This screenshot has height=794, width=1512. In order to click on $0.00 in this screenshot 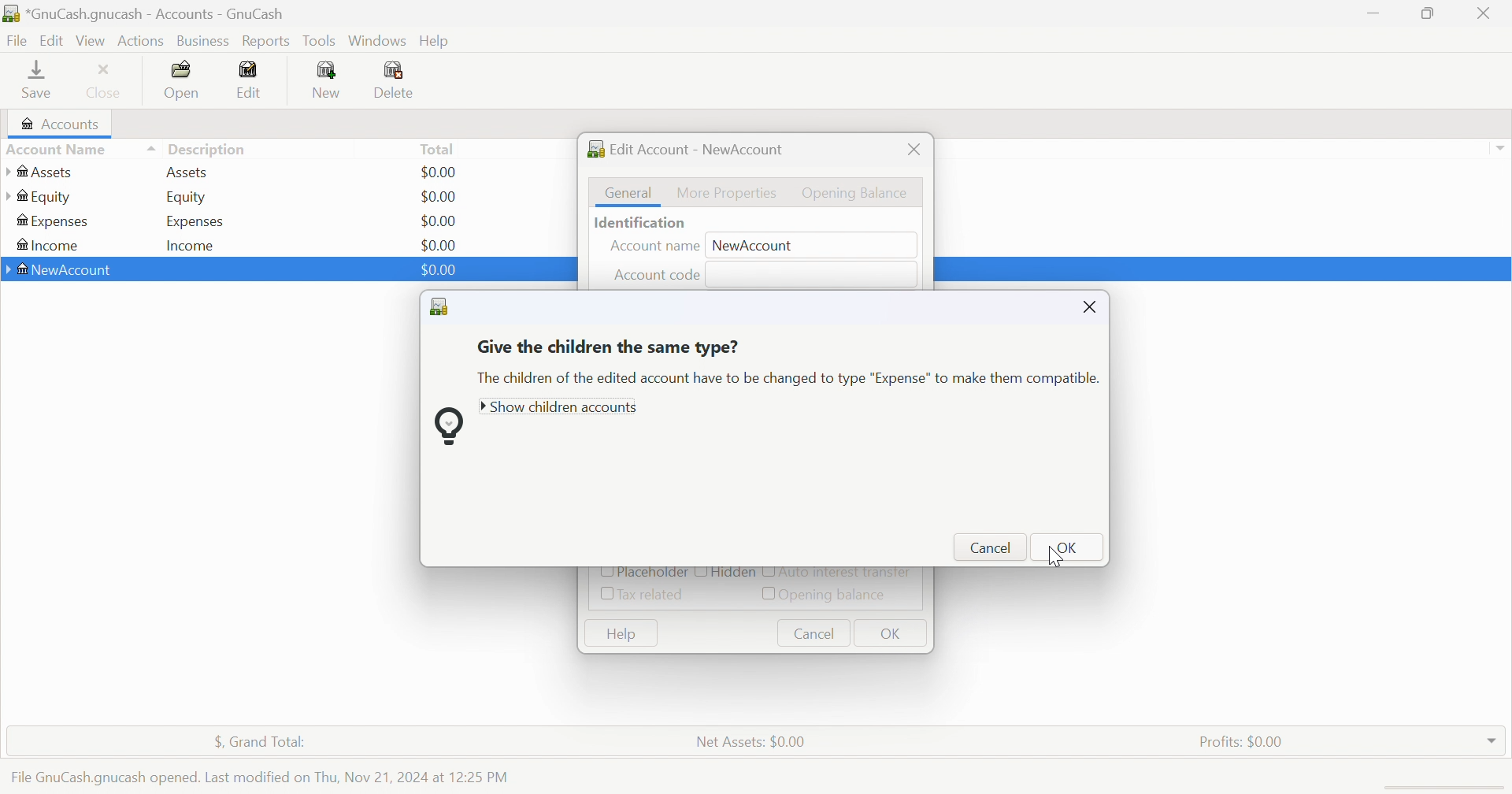, I will do `click(439, 245)`.